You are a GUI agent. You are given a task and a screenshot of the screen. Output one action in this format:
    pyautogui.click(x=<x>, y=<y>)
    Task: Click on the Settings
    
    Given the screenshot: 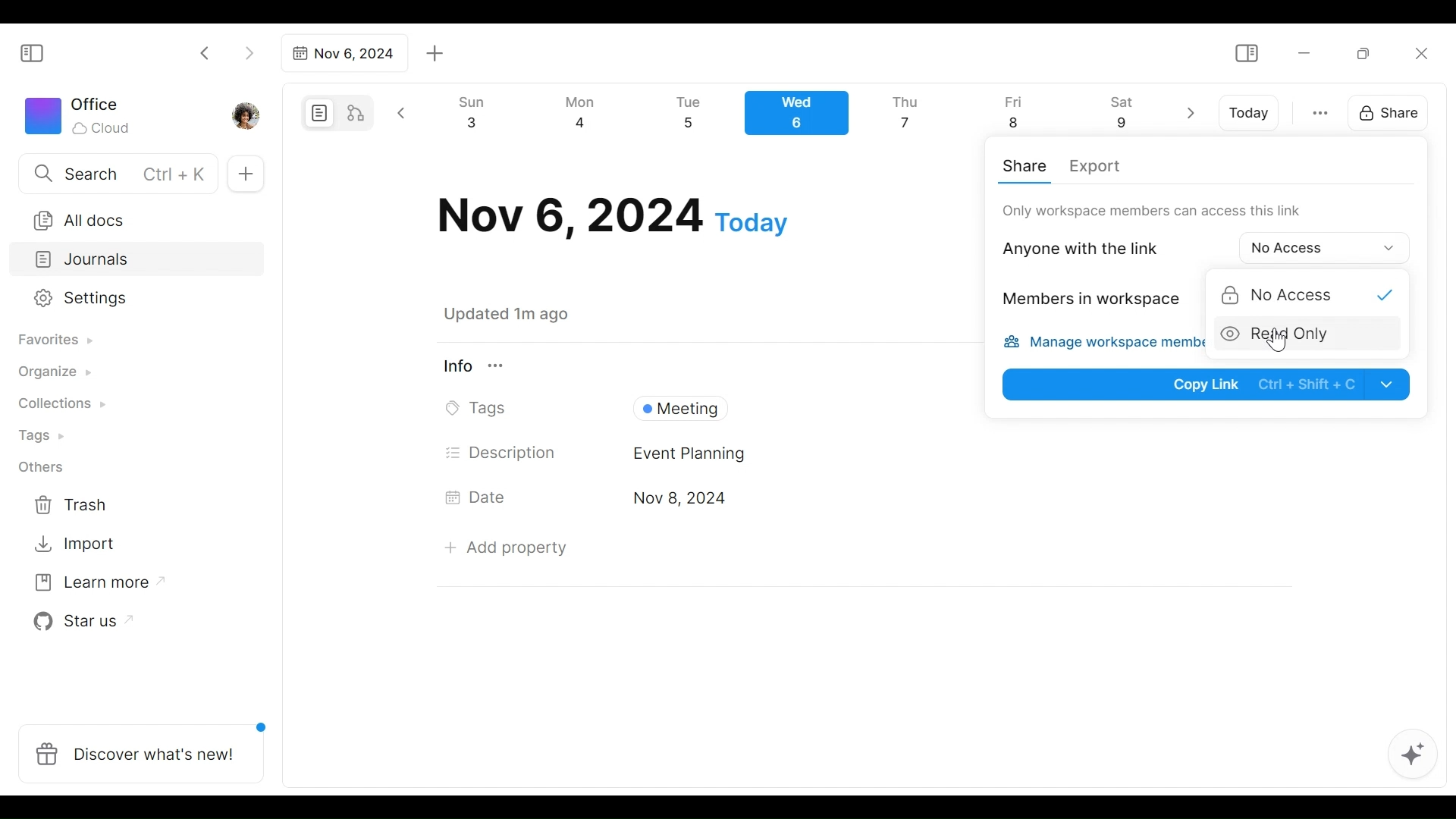 What is the action you would take?
    pyautogui.click(x=125, y=299)
    